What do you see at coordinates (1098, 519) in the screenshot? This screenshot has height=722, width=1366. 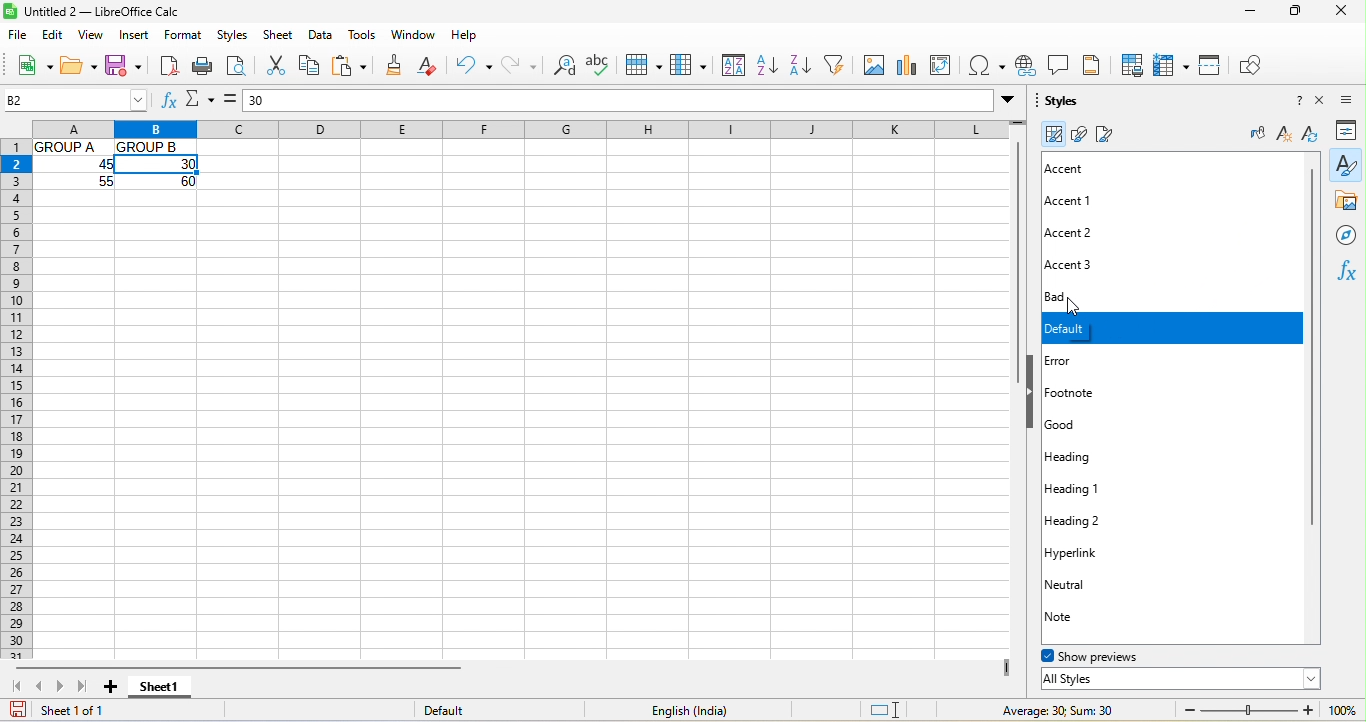 I see `headings2` at bounding box center [1098, 519].